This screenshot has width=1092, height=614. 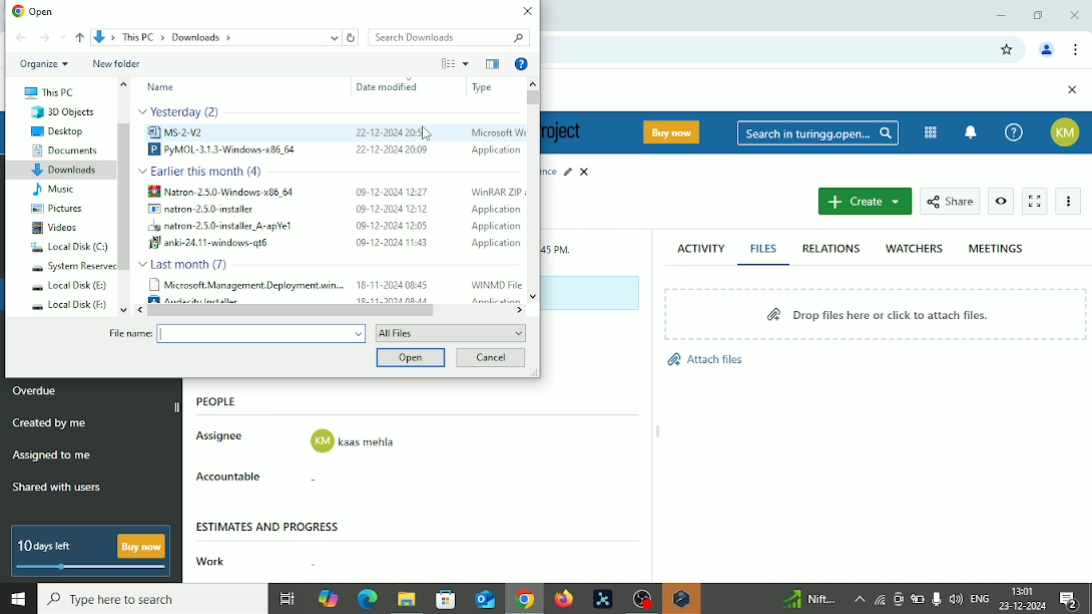 I want to click on Copilot, so click(x=330, y=597).